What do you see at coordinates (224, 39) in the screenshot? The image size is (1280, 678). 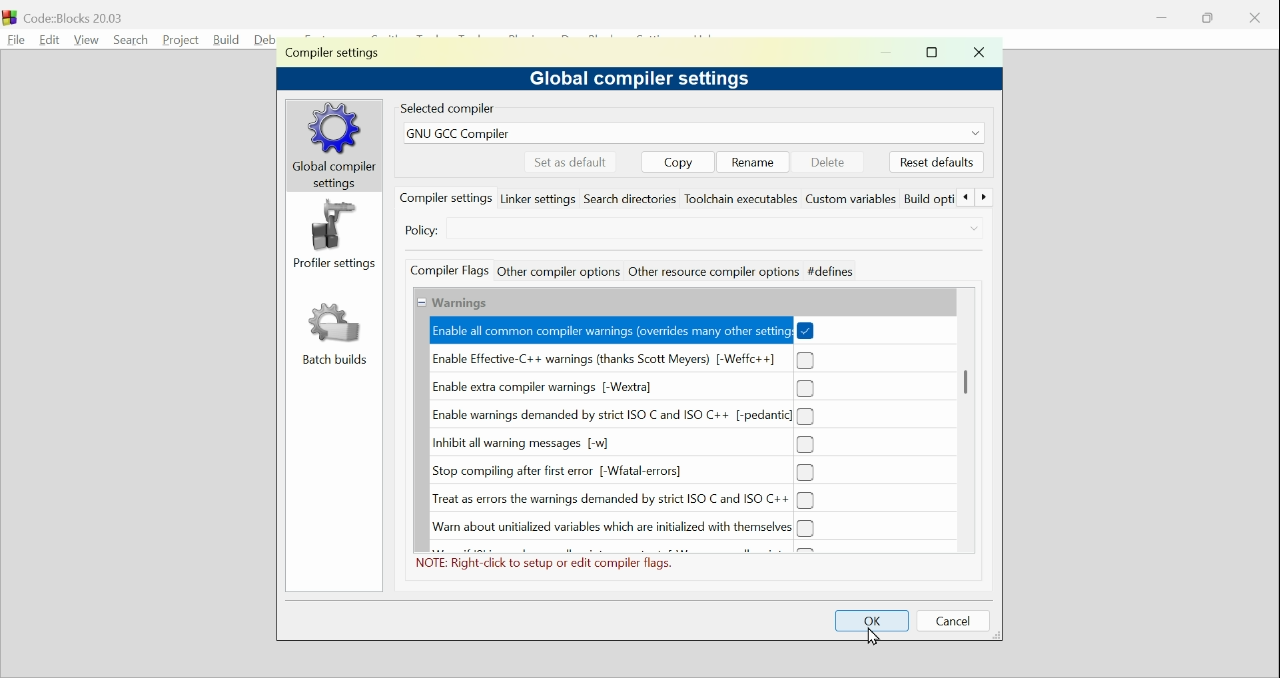 I see `build` at bounding box center [224, 39].